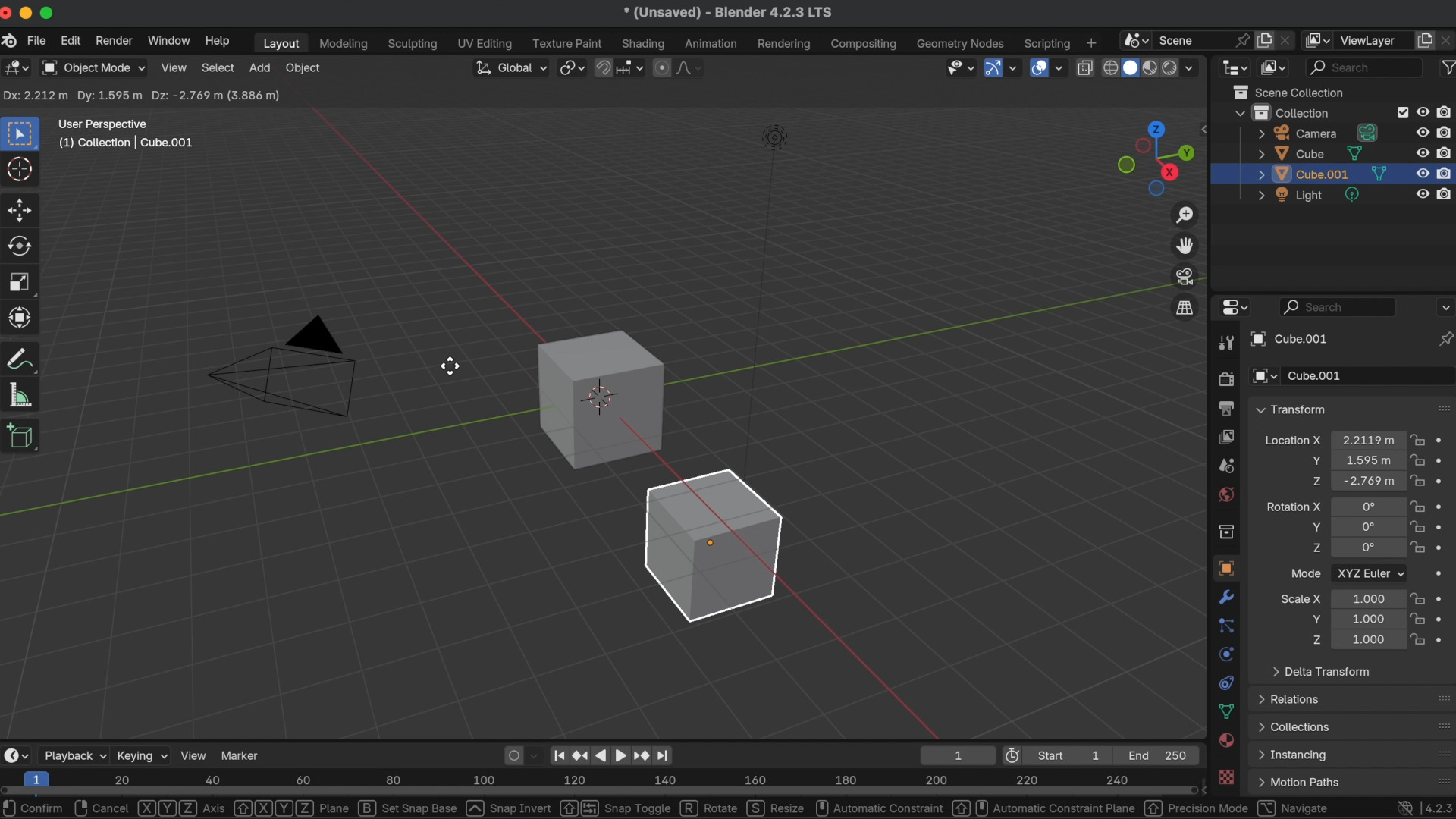 This screenshot has width=1456, height=819. What do you see at coordinates (1421, 153) in the screenshot?
I see `hide in viewport` at bounding box center [1421, 153].